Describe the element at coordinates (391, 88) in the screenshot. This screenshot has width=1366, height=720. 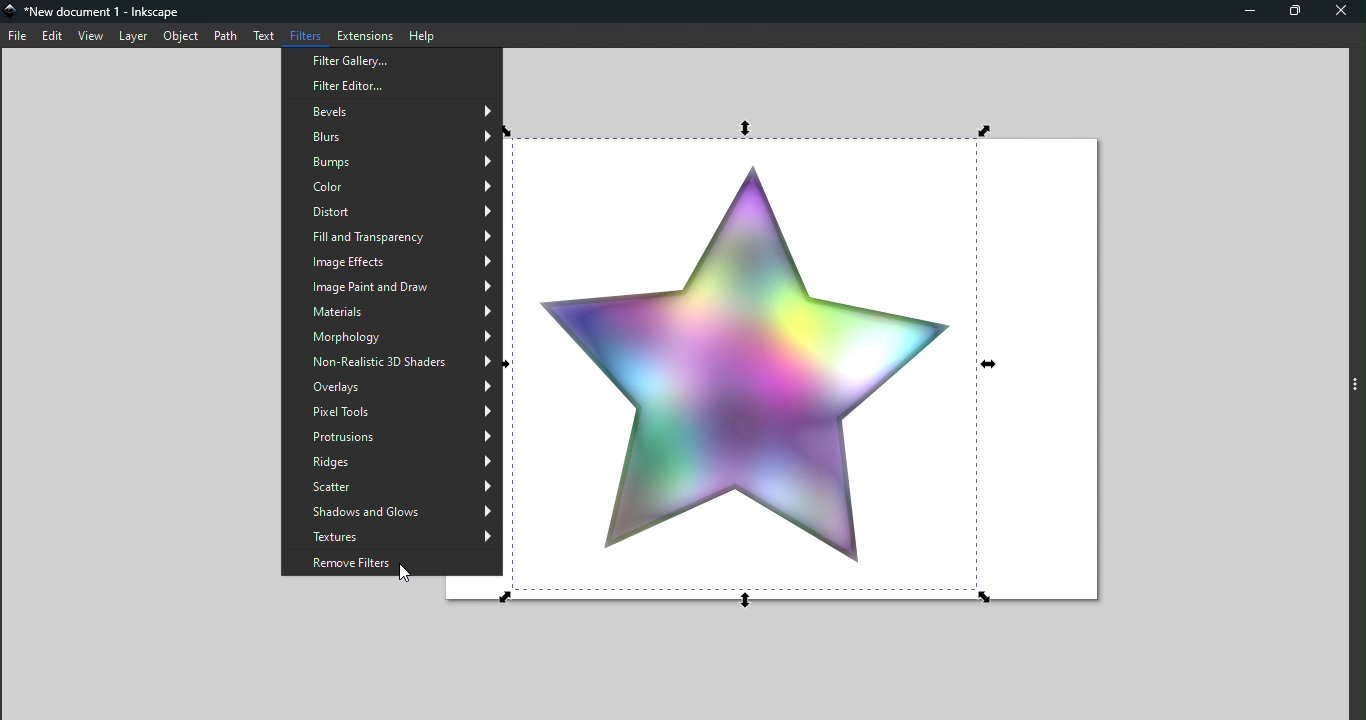
I see `Filter Editor` at that location.